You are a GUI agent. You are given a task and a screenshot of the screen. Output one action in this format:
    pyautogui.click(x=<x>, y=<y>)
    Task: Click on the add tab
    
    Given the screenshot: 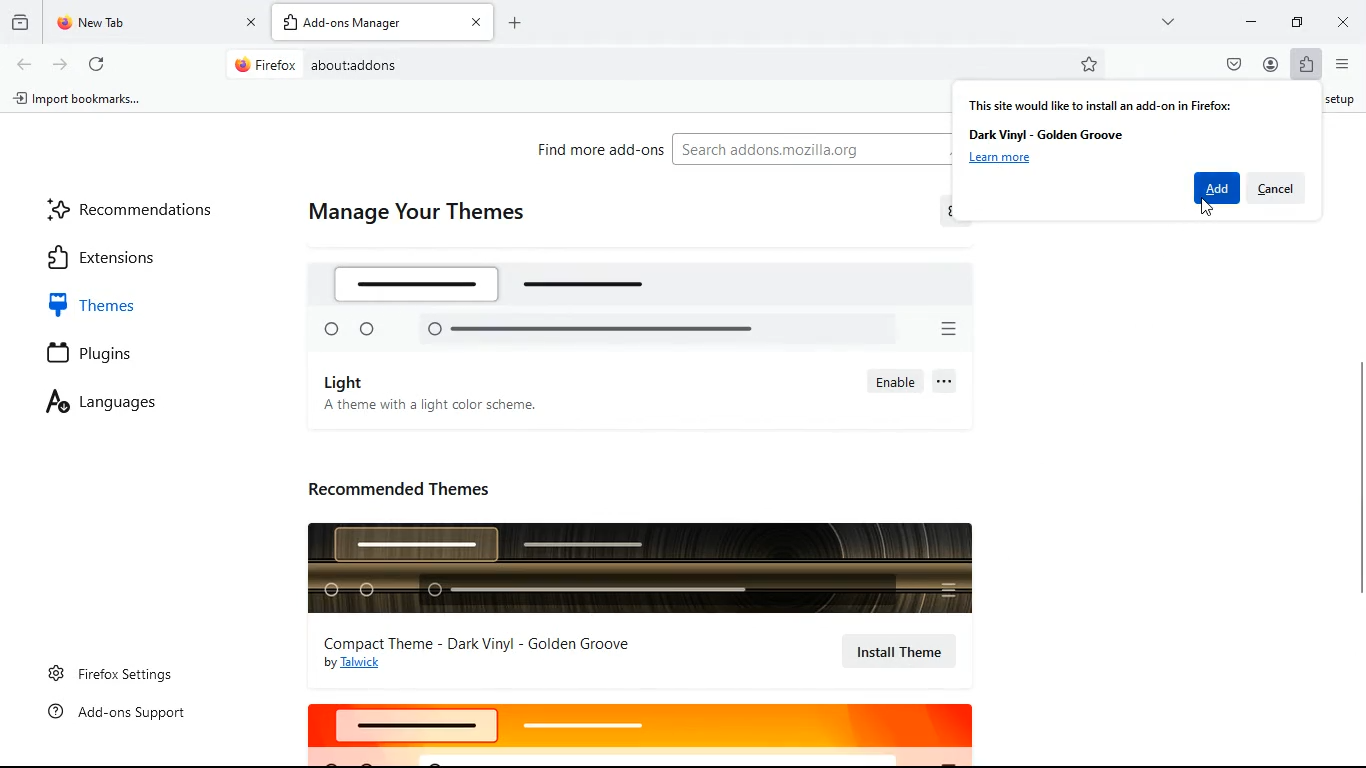 What is the action you would take?
    pyautogui.click(x=293, y=24)
    